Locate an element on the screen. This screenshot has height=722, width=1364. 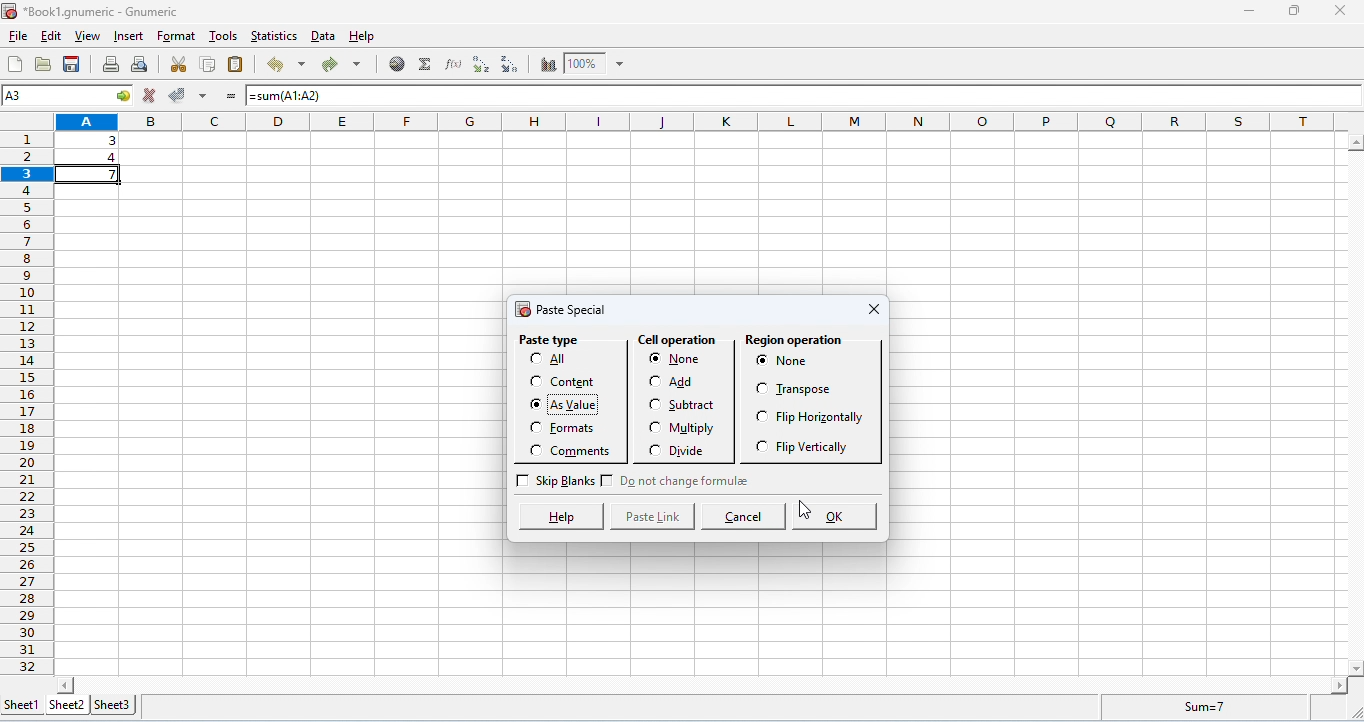
minimize is located at coordinates (1249, 13).